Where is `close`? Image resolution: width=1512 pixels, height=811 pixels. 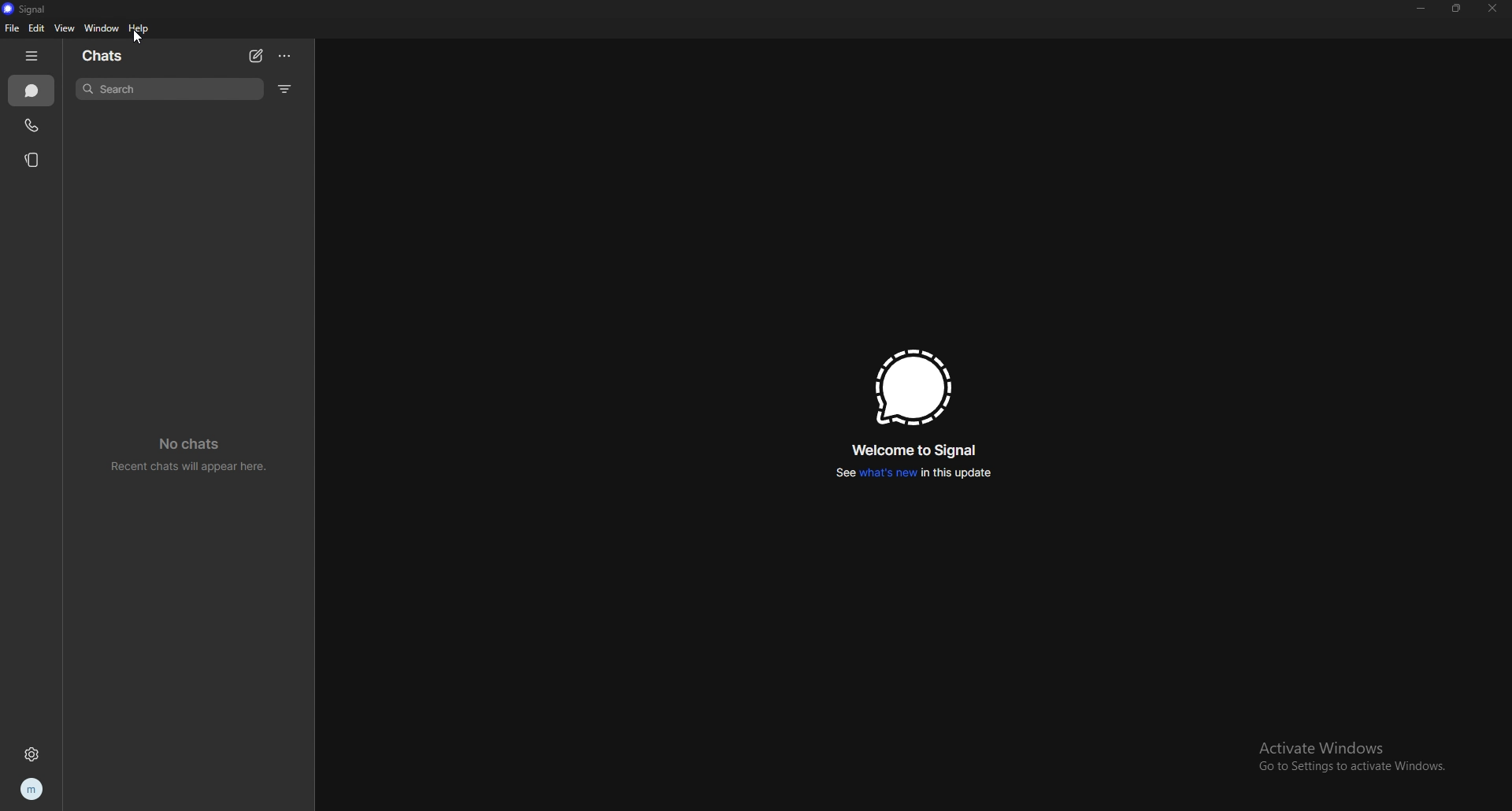
close is located at coordinates (1492, 8).